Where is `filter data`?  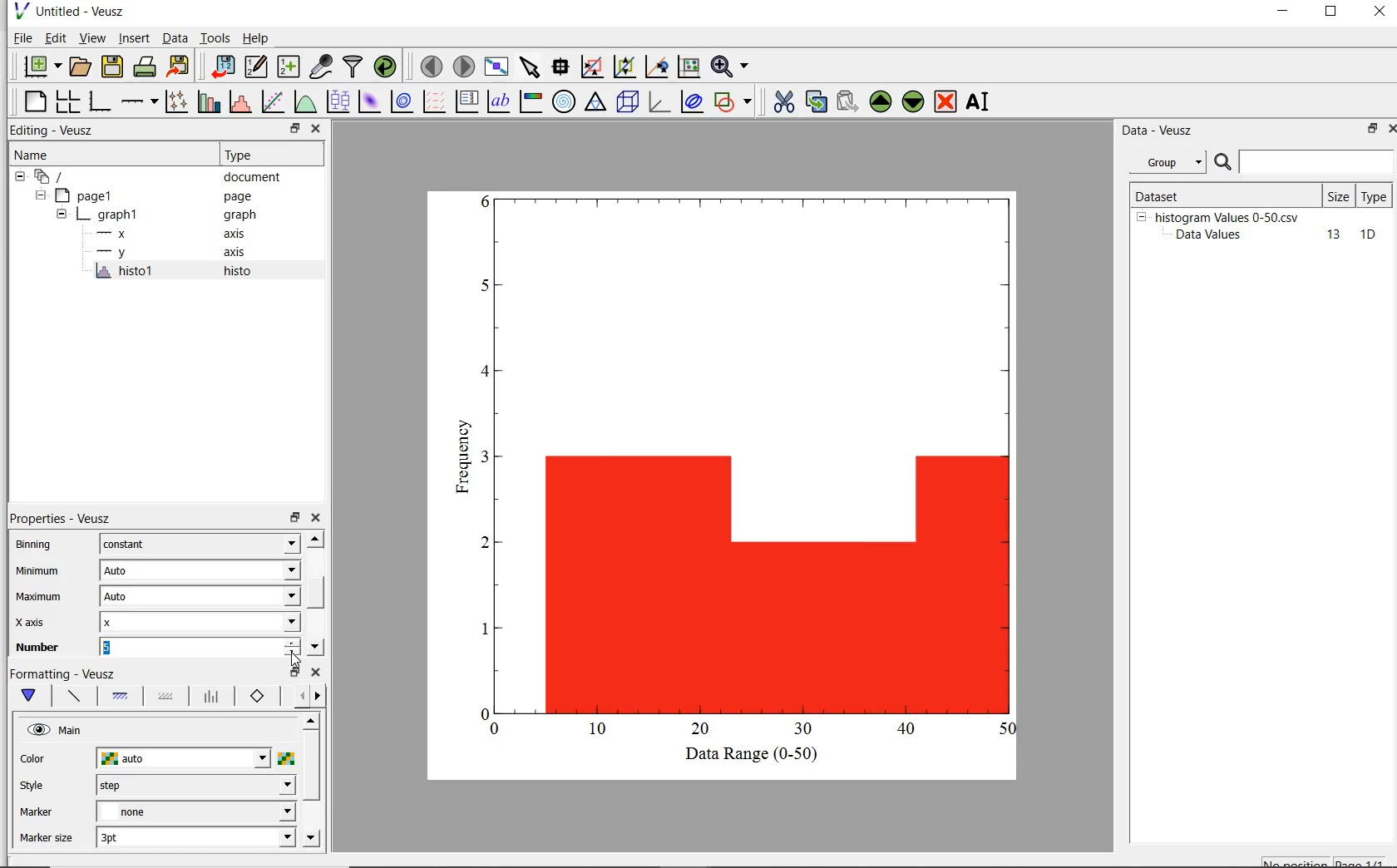 filter data is located at coordinates (353, 67).